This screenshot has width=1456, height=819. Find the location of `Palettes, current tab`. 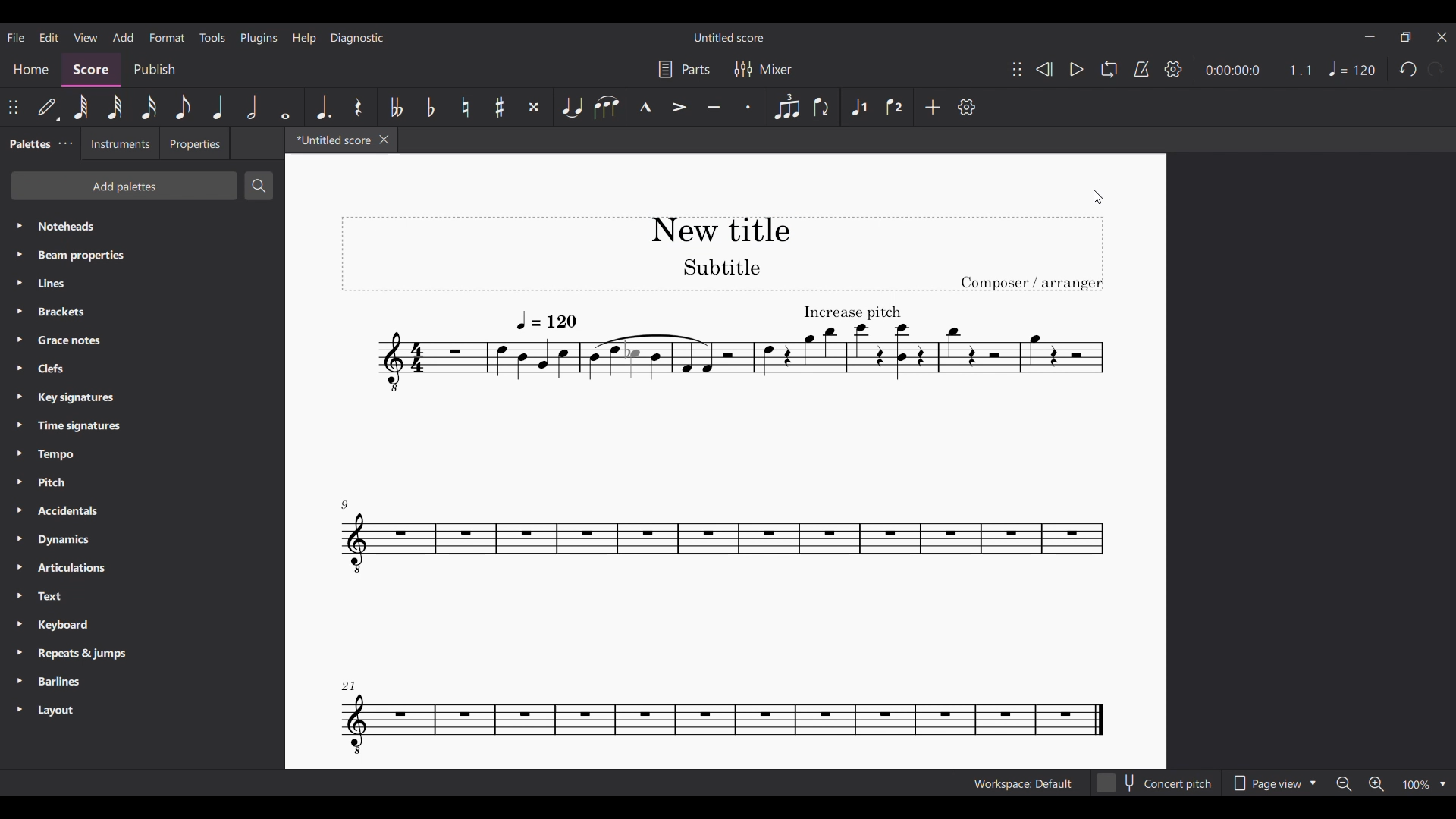

Palettes, current tab is located at coordinates (29, 144).